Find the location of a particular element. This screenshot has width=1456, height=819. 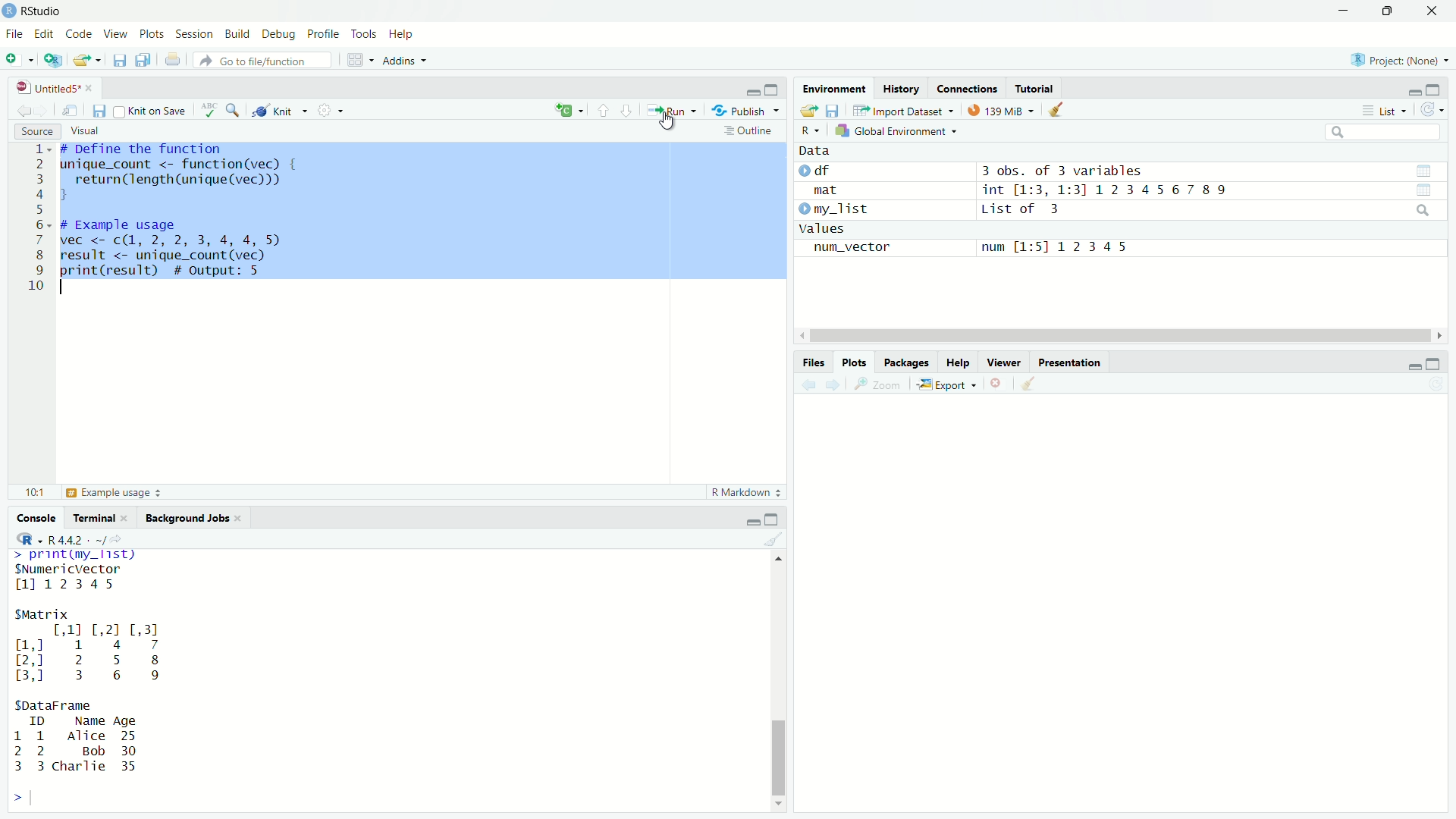

Example Usage is located at coordinates (112, 492).